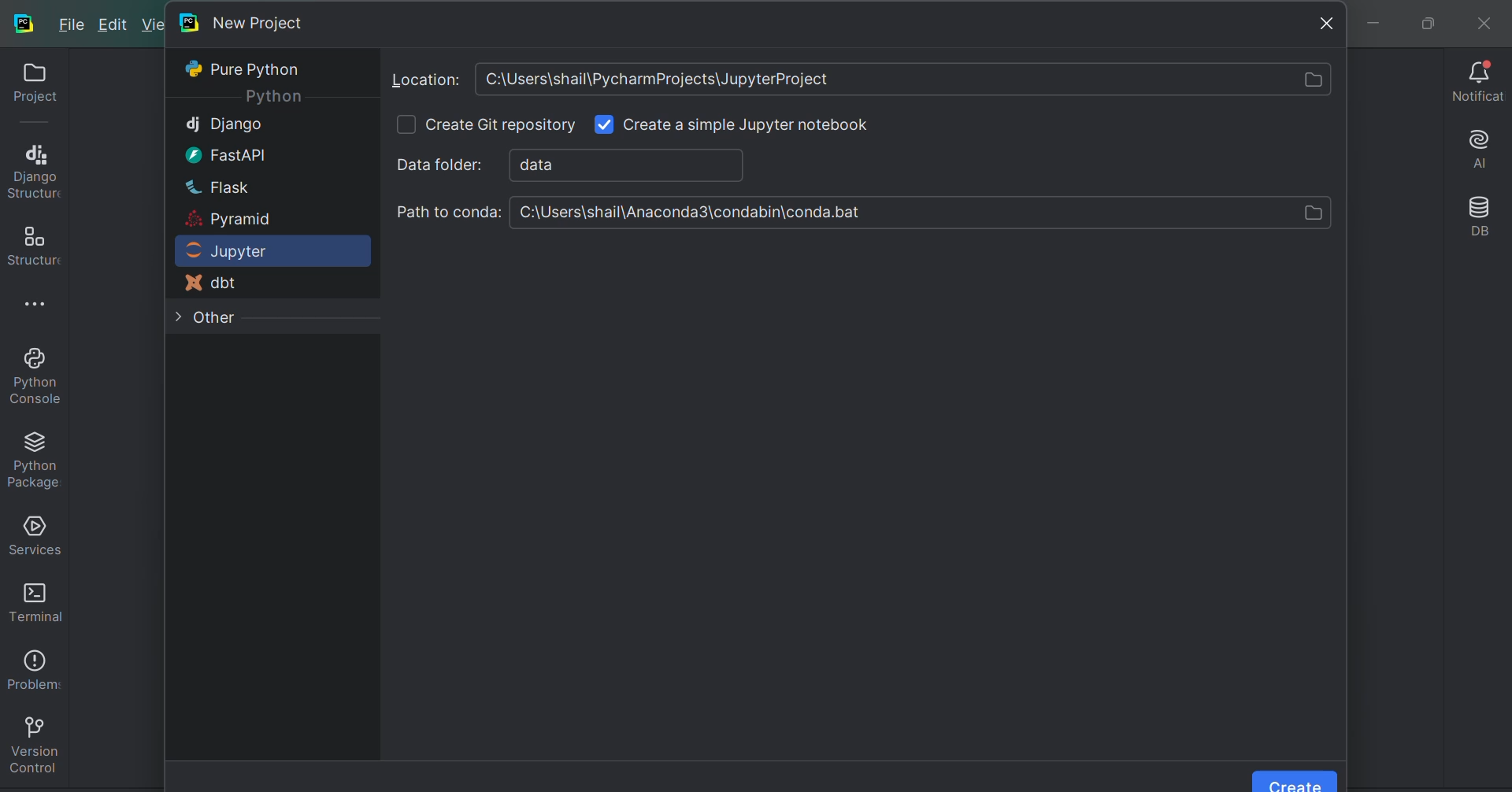  Describe the element at coordinates (248, 69) in the screenshot. I see `Pure Python` at that location.